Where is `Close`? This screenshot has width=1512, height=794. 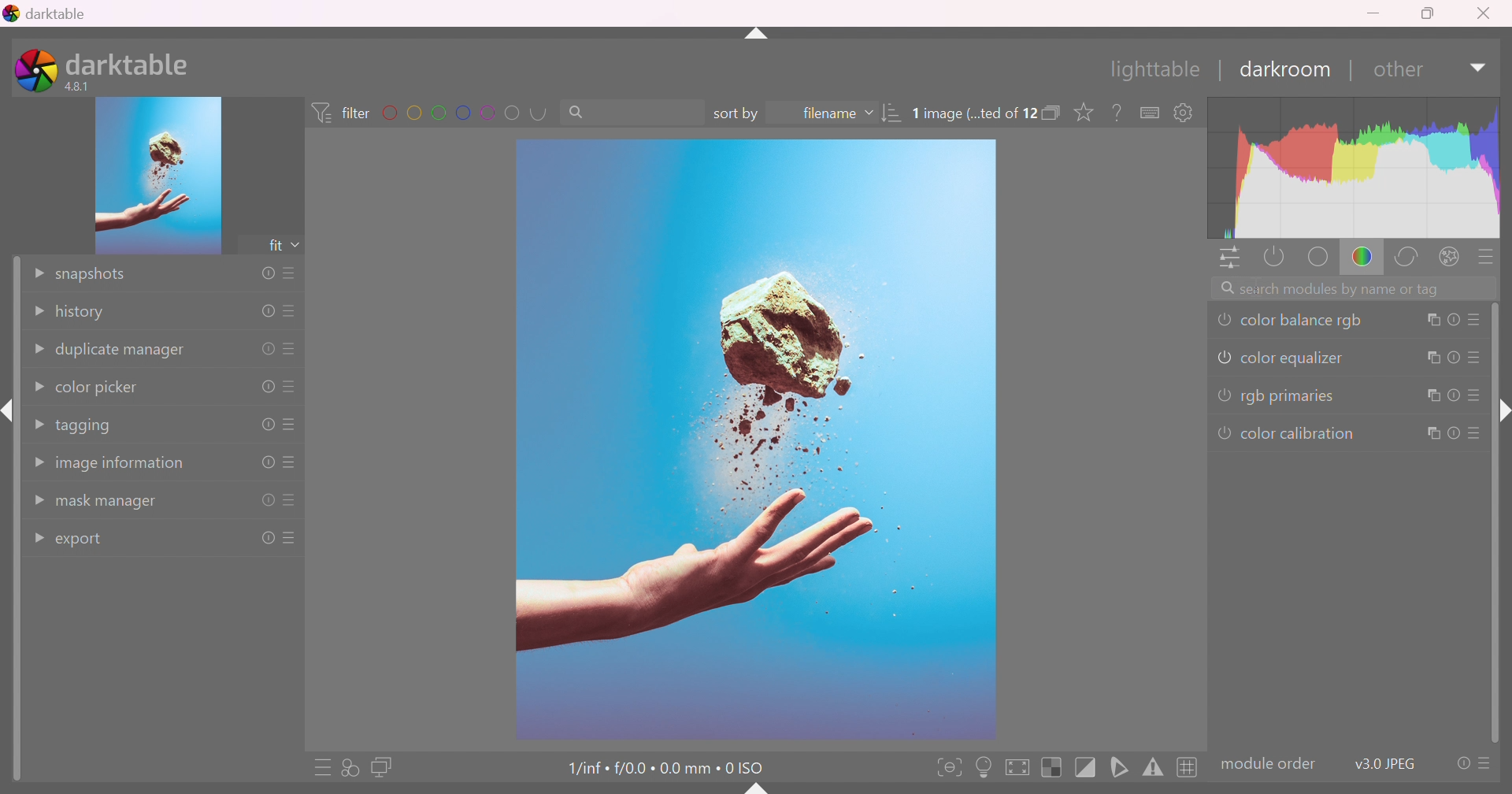 Close is located at coordinates (1487, 14).